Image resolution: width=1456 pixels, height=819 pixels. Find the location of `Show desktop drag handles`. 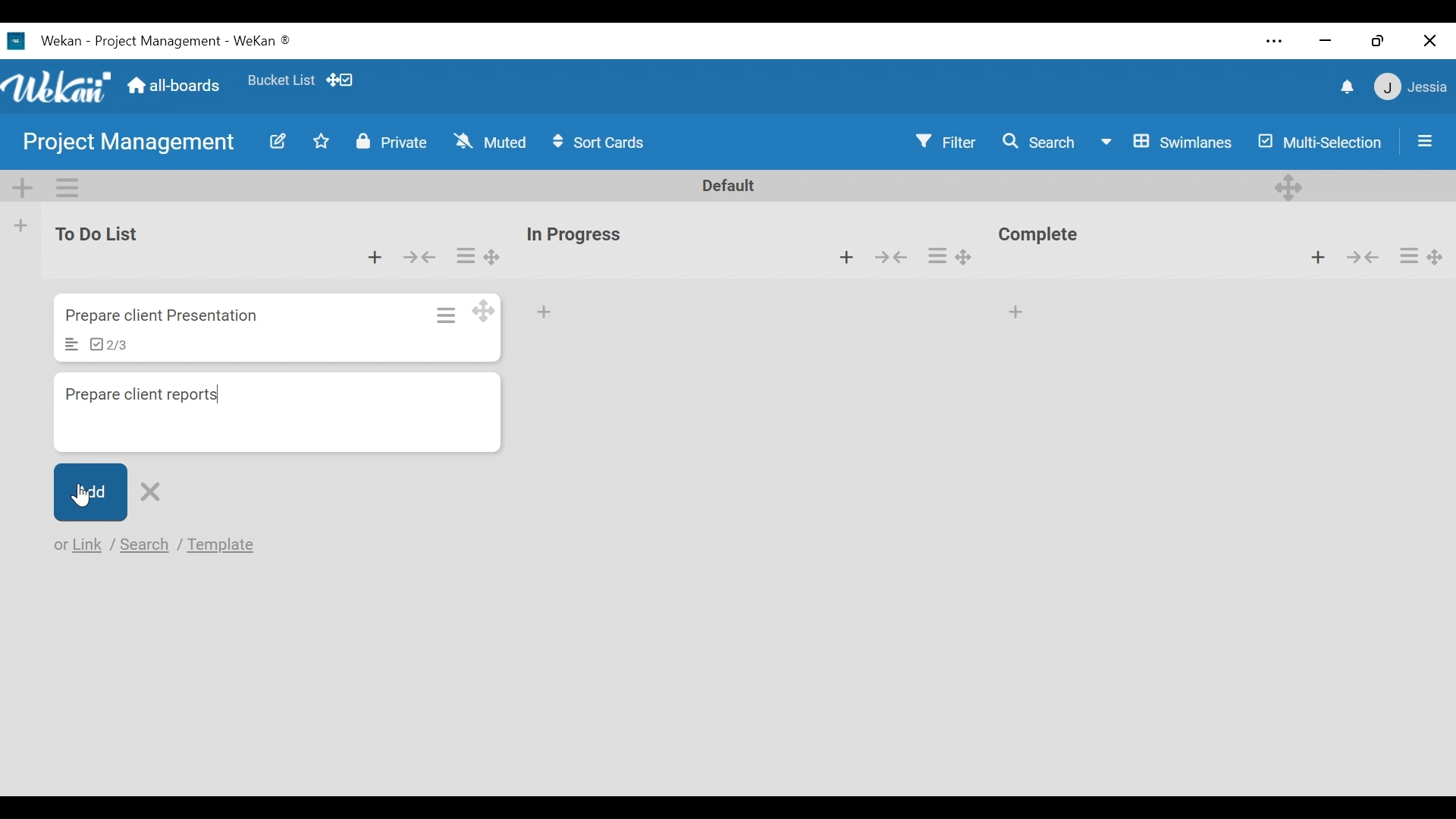

Show desktop drag handles is located at coordinates (342, 80).